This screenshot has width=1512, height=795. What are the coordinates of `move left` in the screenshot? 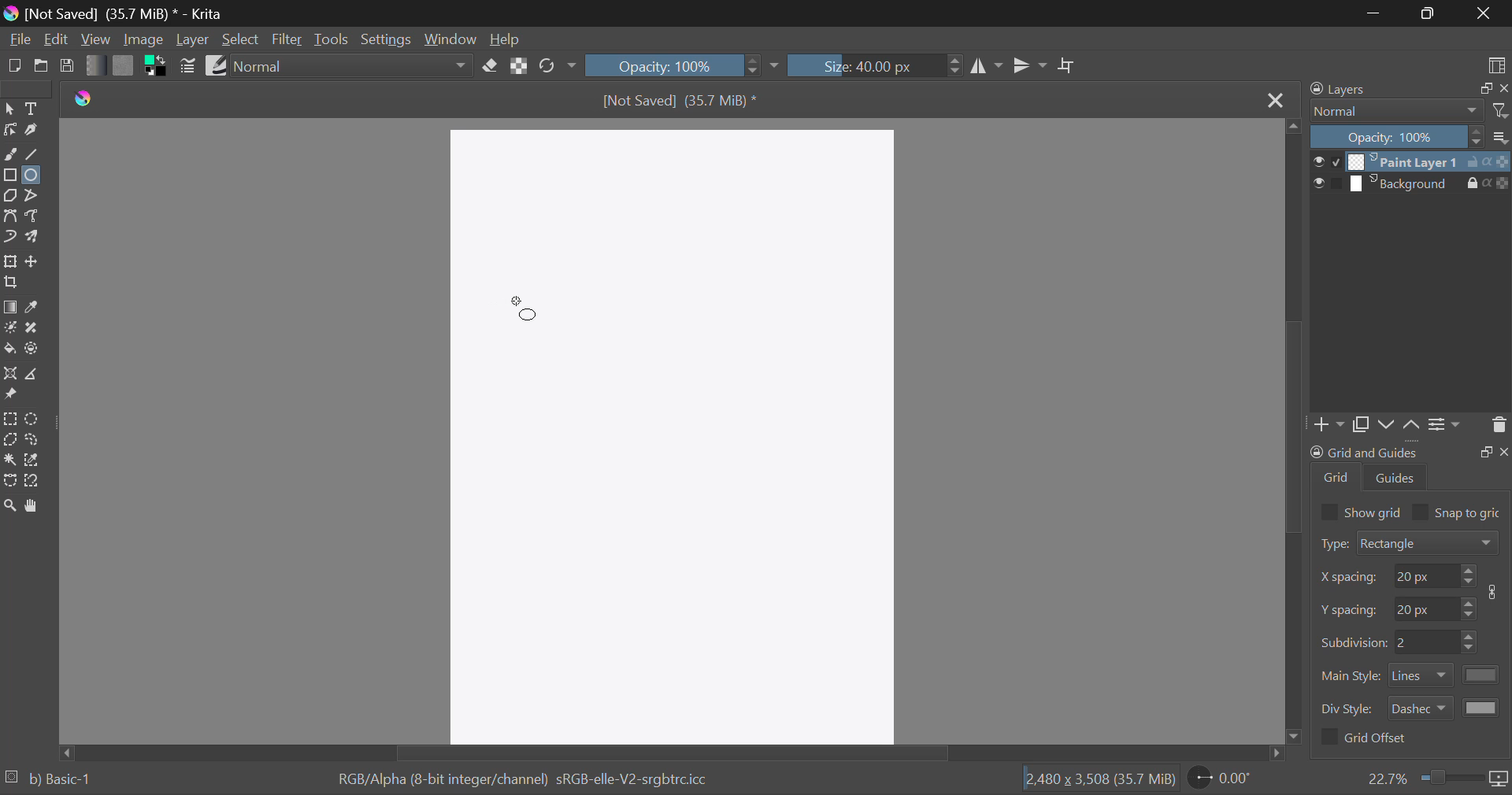 It's located at (64, 752).